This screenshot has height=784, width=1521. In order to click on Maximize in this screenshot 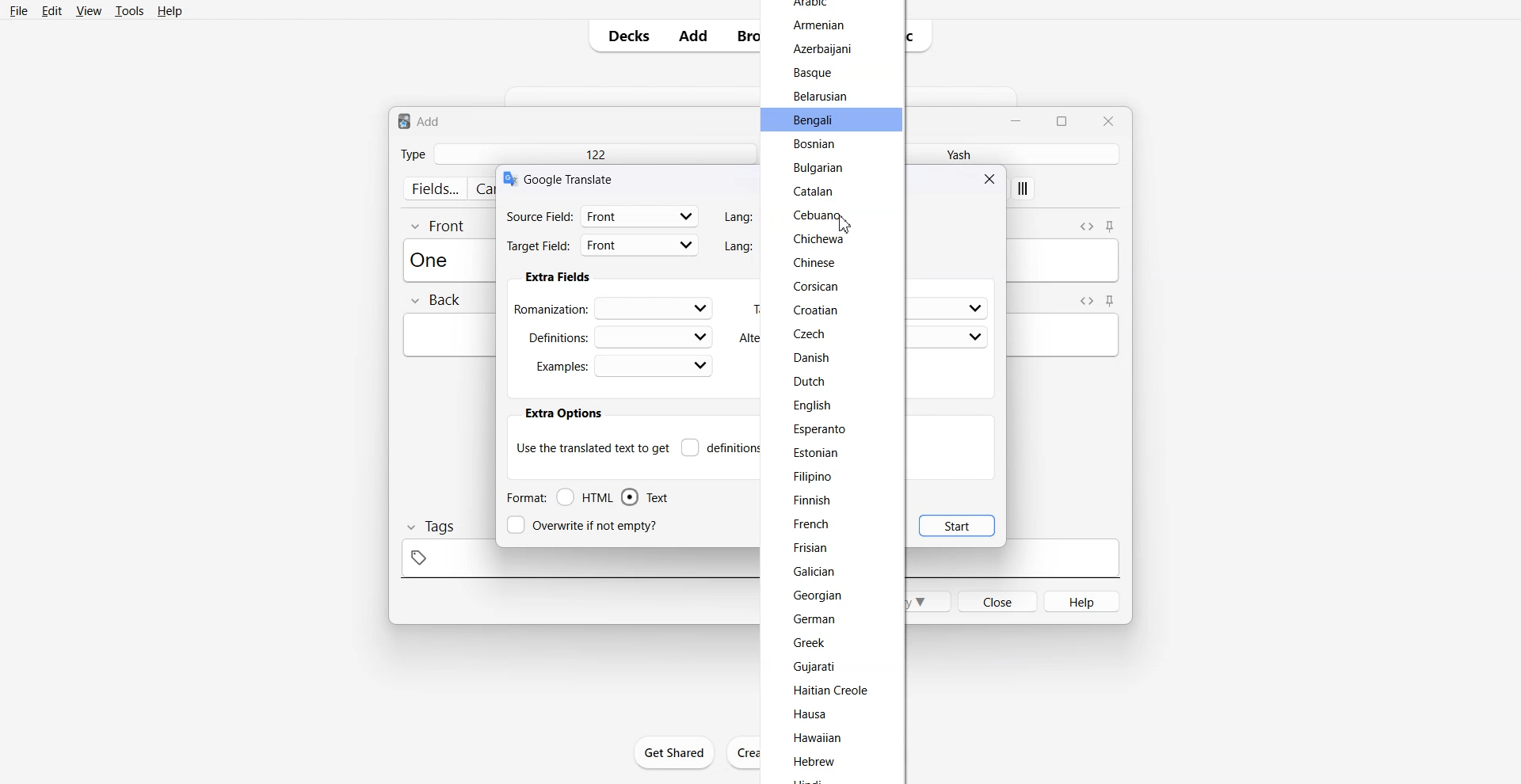, I will do `click(1065, 120)`.